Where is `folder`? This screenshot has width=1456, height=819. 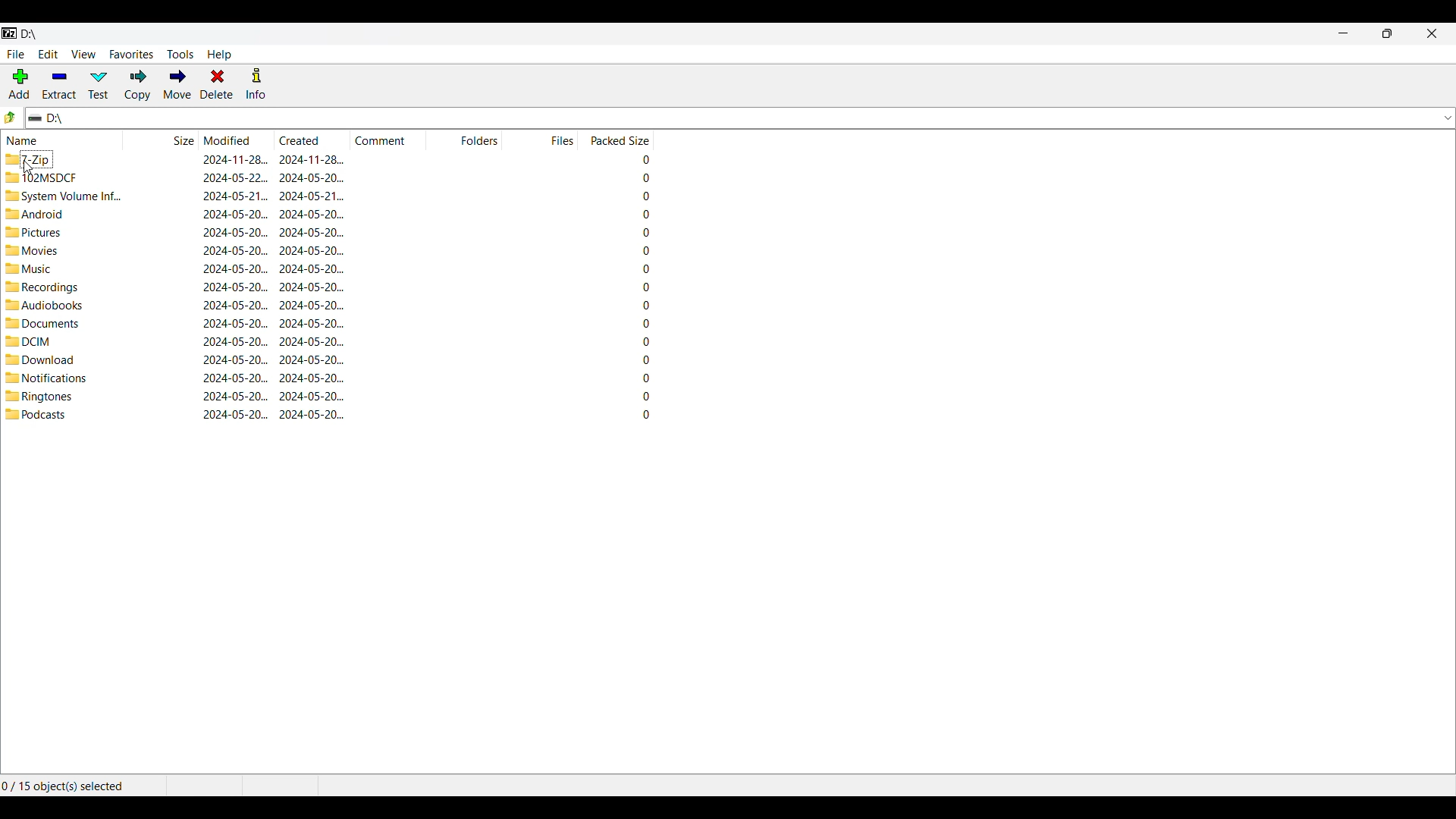
folder is located at coordinates (41, 324).